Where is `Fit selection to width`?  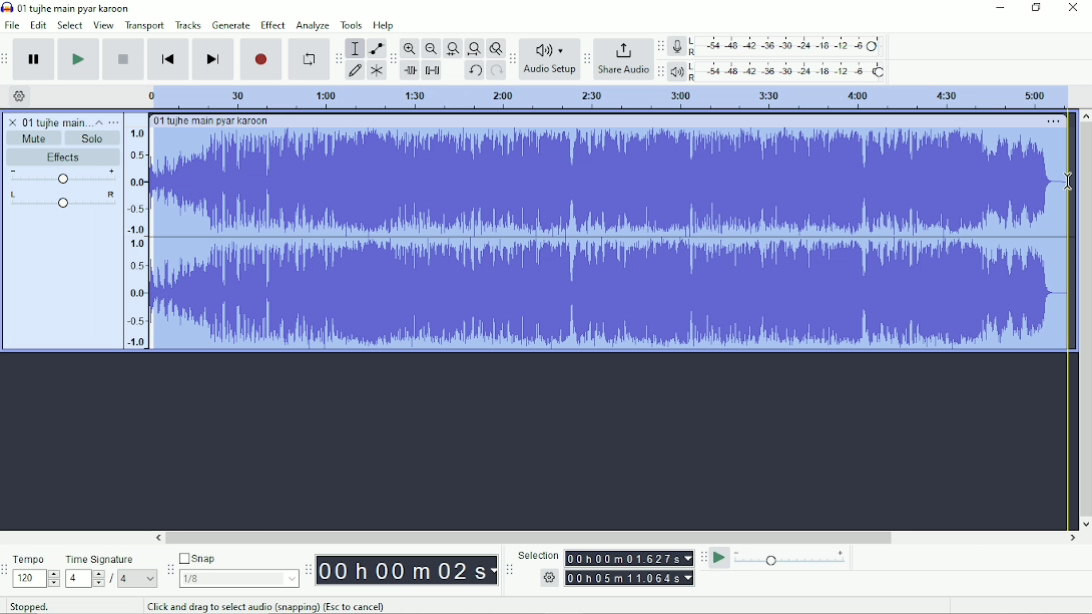
Fit selection to width is located at coordinates (452, 48).